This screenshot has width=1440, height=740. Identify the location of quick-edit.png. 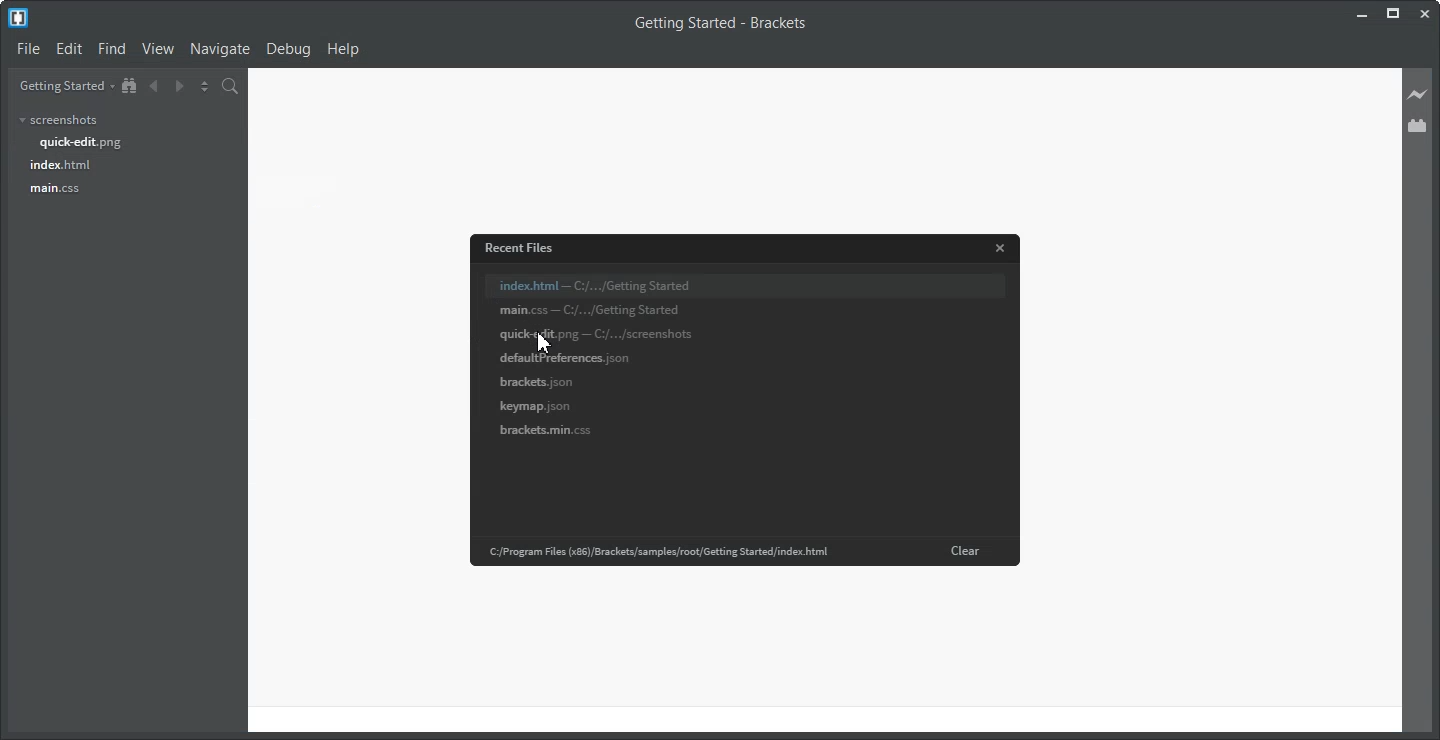
(81, 142).